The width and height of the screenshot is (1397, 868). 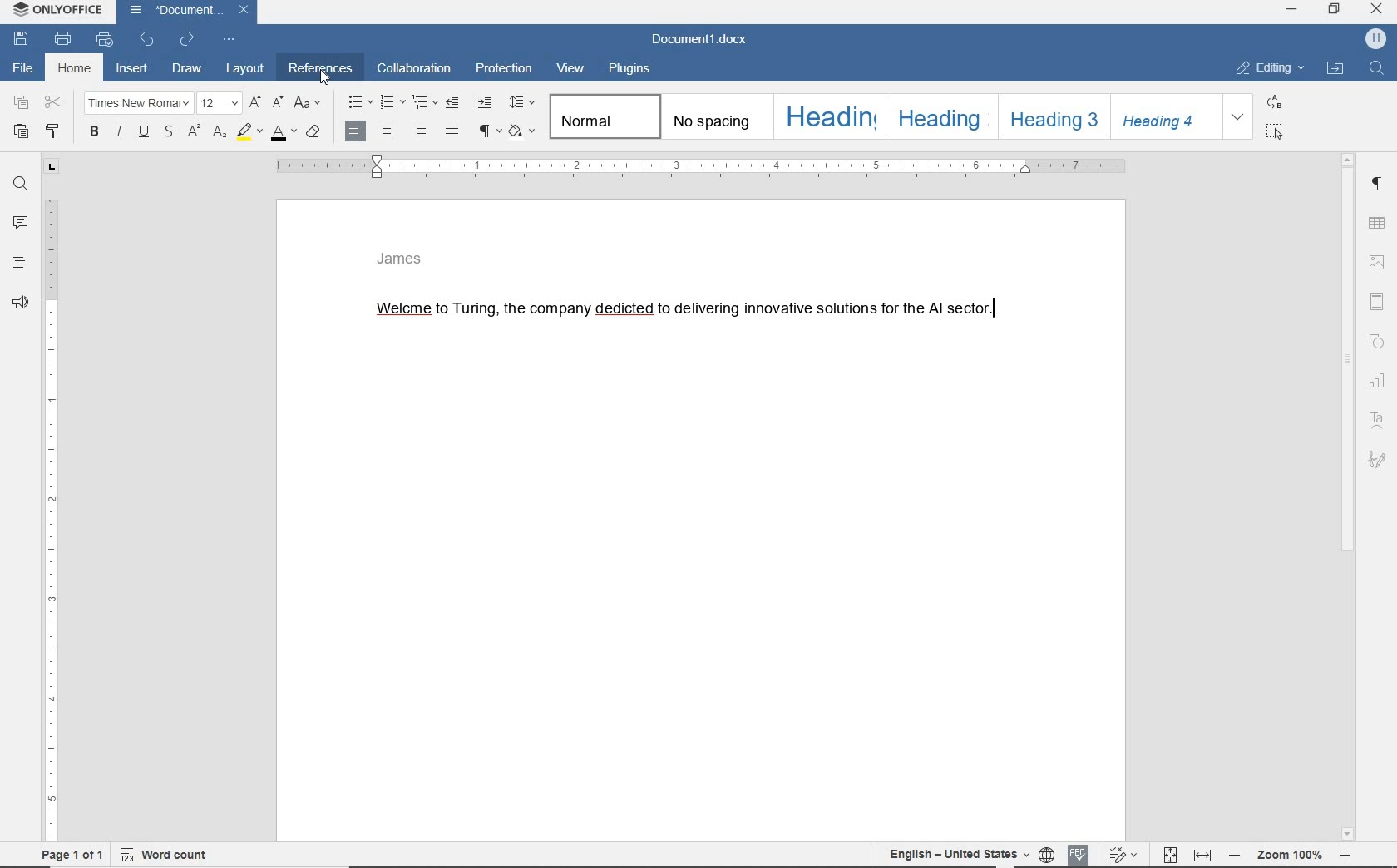 I want to click on align center, so click(x=391, y=133).